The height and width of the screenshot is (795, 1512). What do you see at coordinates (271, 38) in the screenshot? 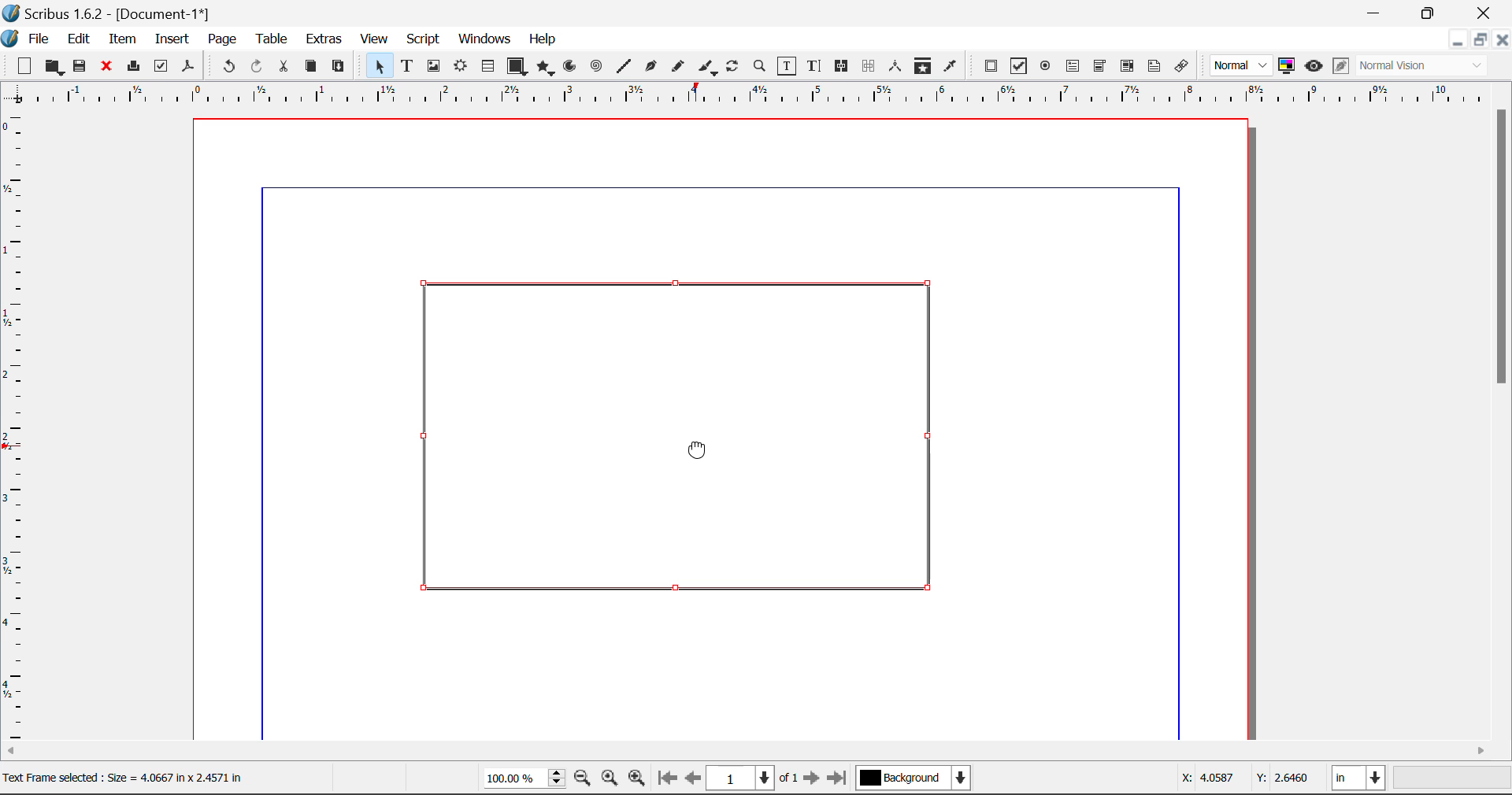
I see `Table` at bounding box center [271, 38].